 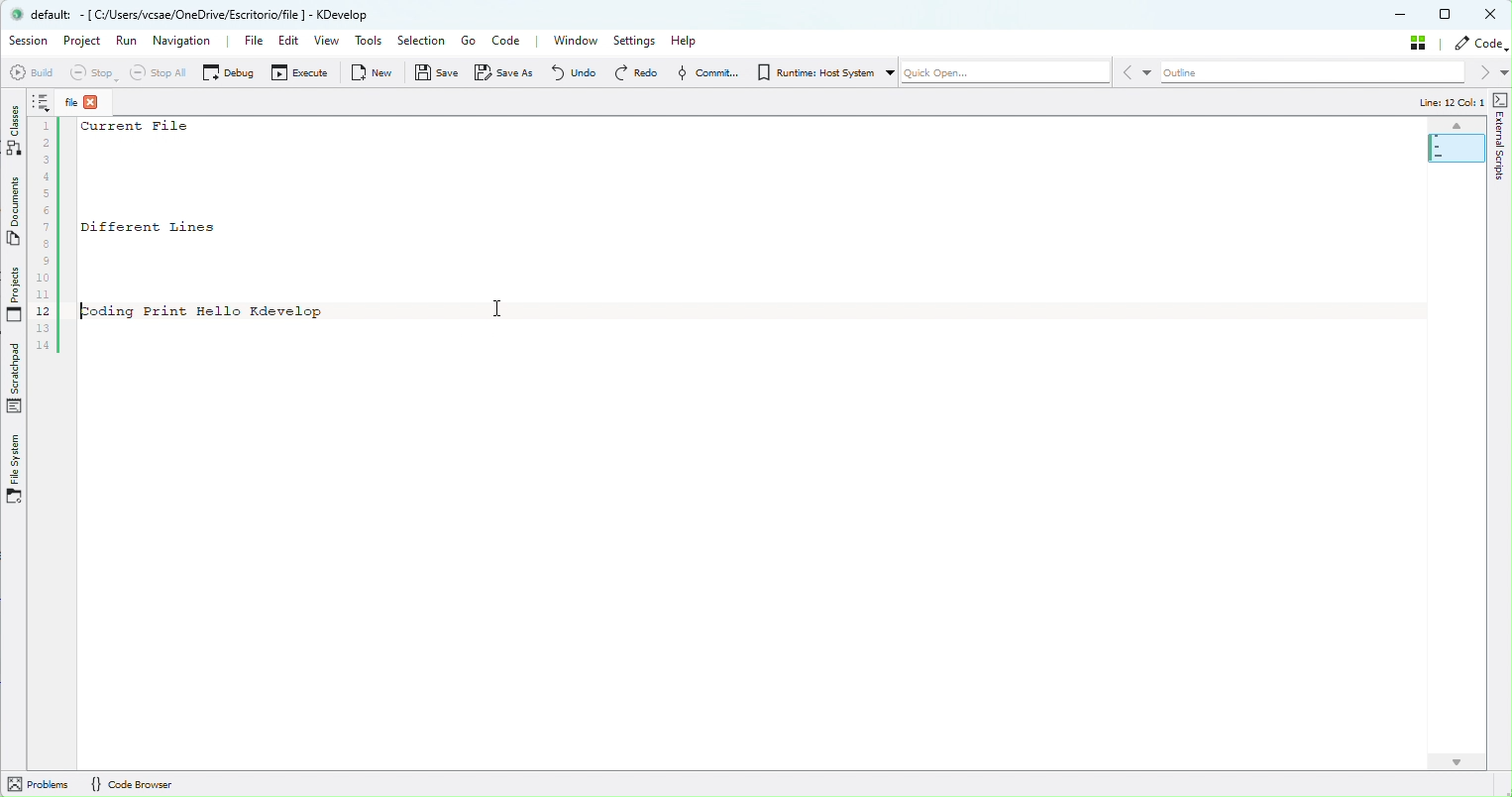 I want to click on Outline, so click(x=1316, y=75).